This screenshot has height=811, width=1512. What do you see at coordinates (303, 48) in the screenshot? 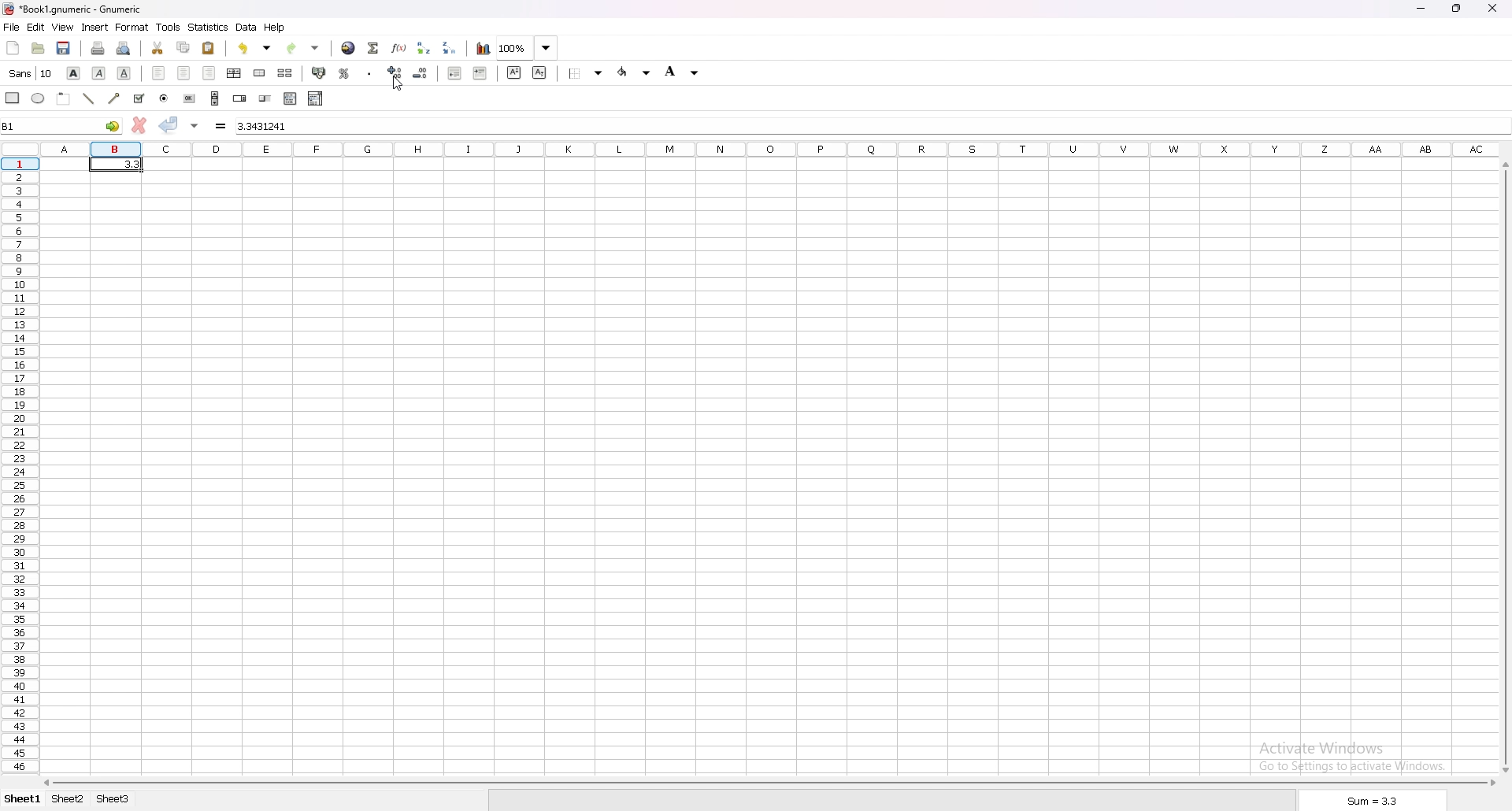
I see `redo` at bounding box center [303, 48].